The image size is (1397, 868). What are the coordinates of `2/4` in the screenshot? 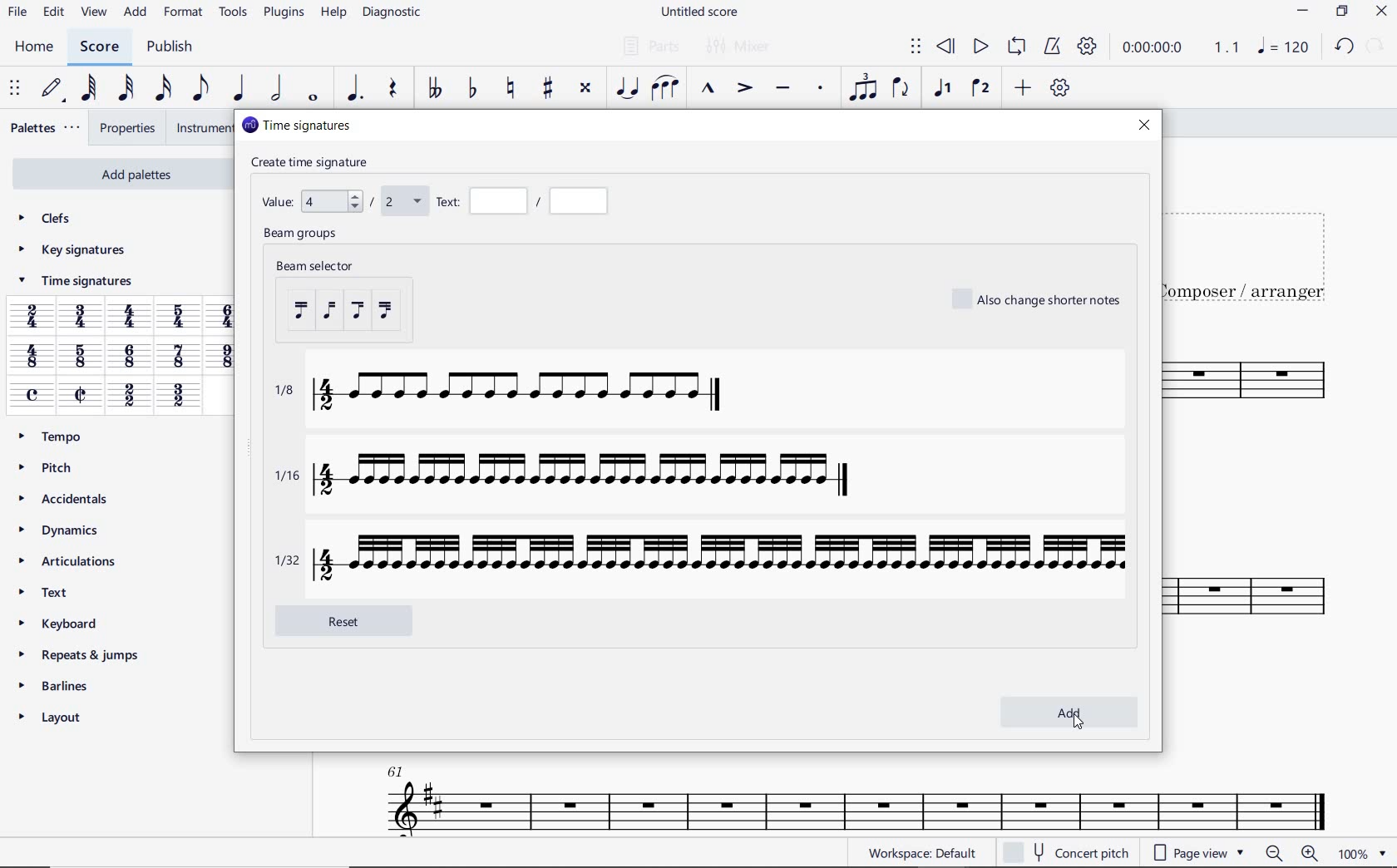 It's located at (32, 316).